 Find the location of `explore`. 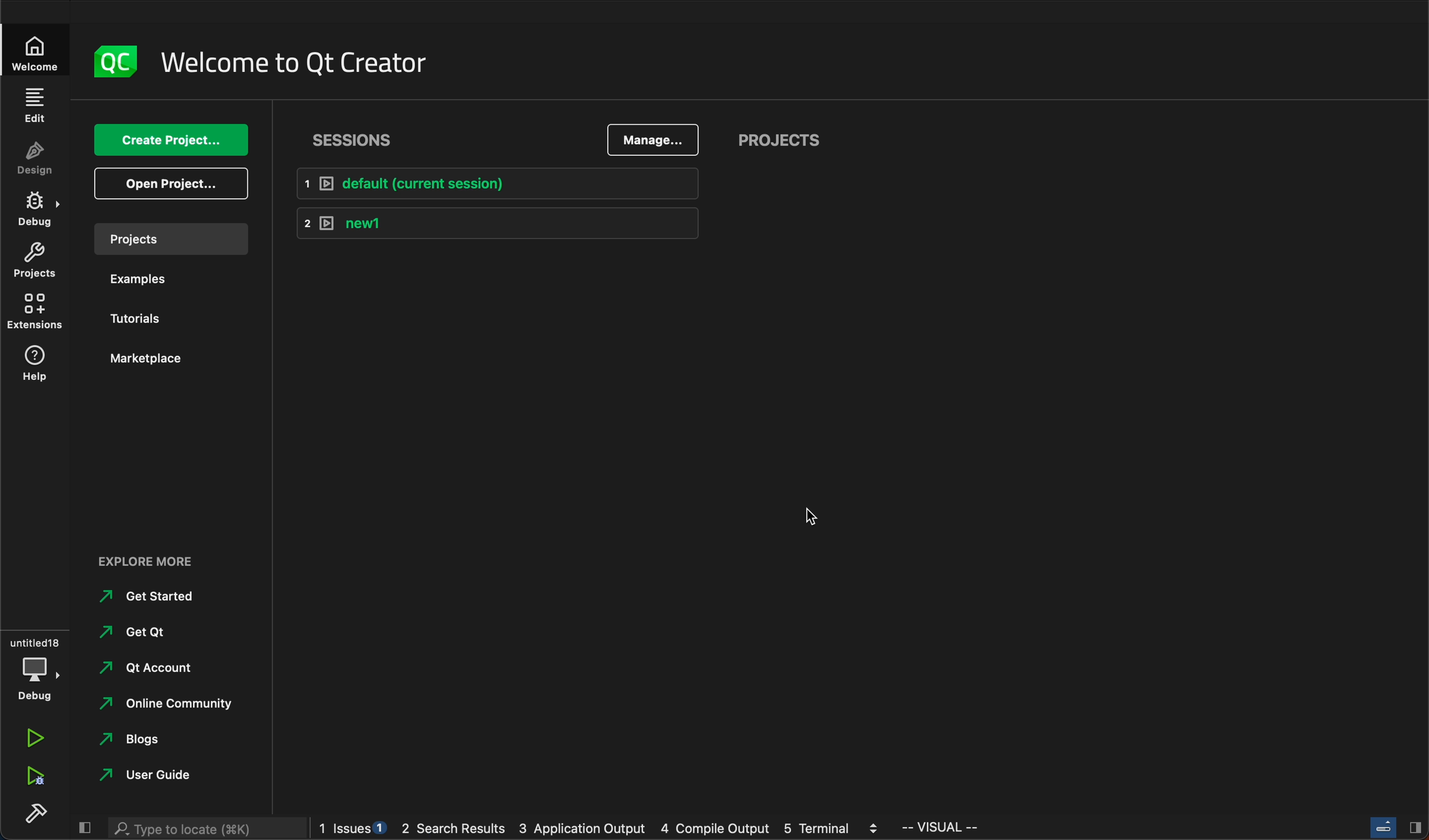

explore is located at coordinates (146, 557).